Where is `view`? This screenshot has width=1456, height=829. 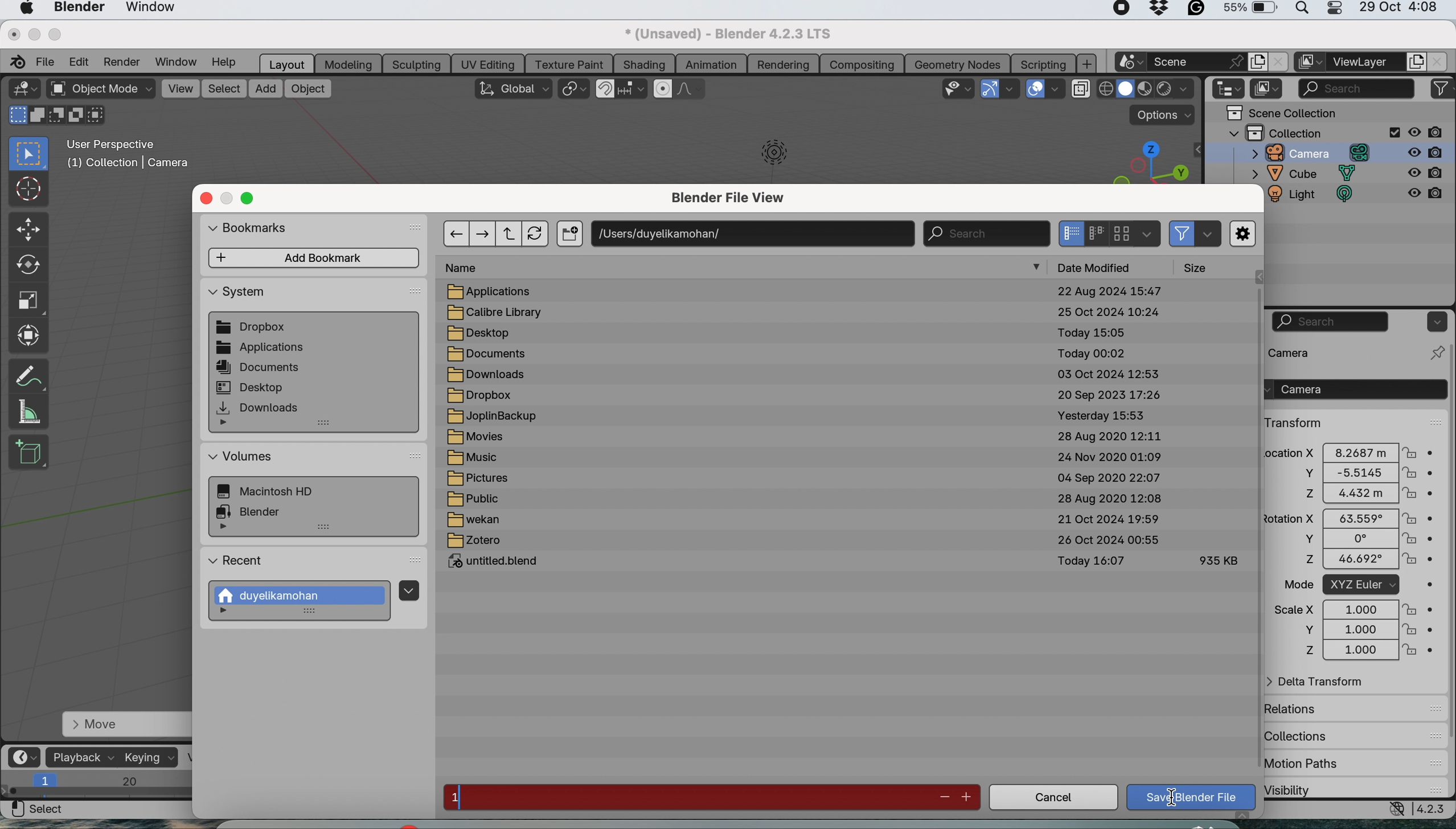 view is located at coordinates (180, 88).